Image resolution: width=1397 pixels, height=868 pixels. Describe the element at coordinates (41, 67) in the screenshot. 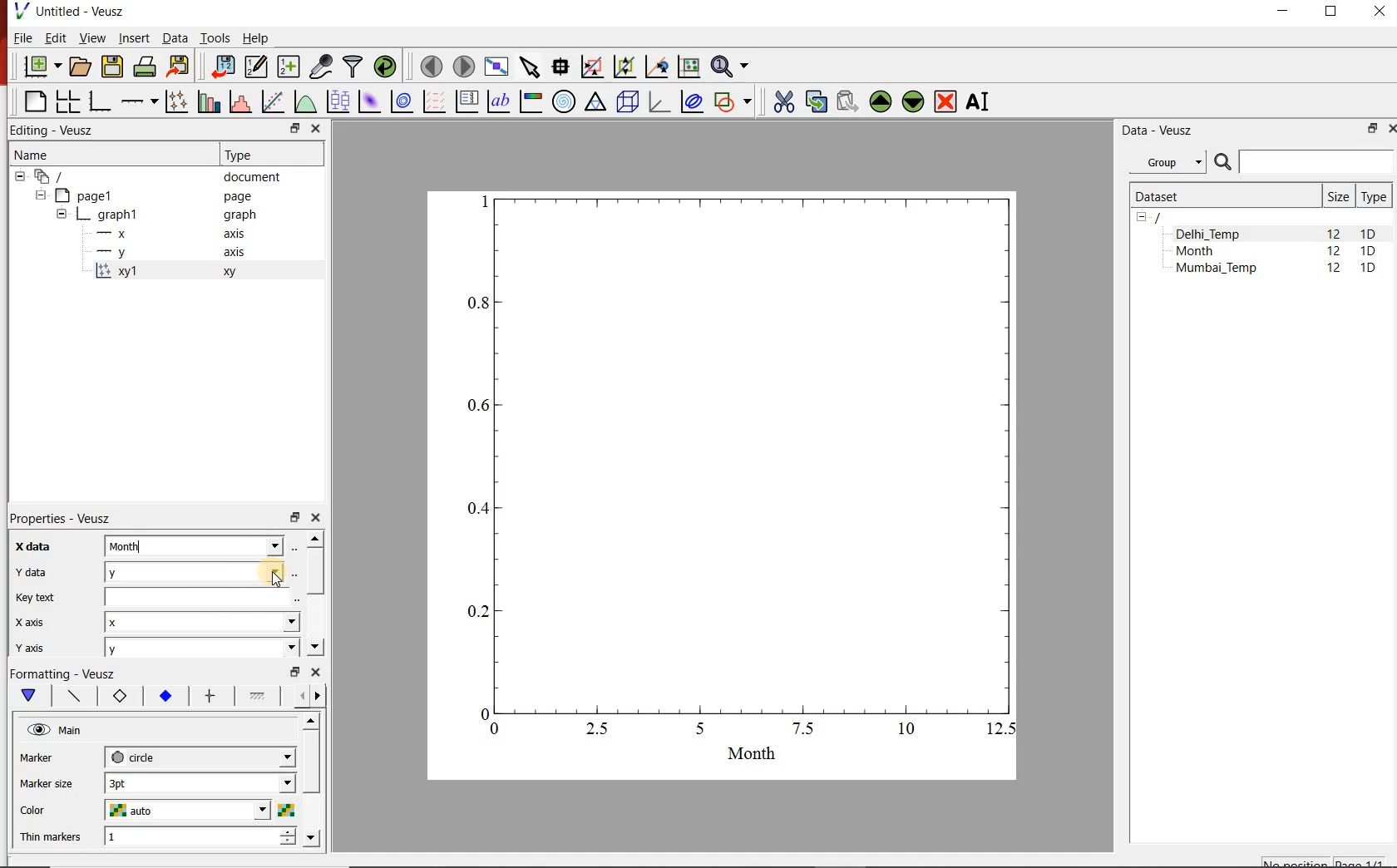

I see `new document` at that location.